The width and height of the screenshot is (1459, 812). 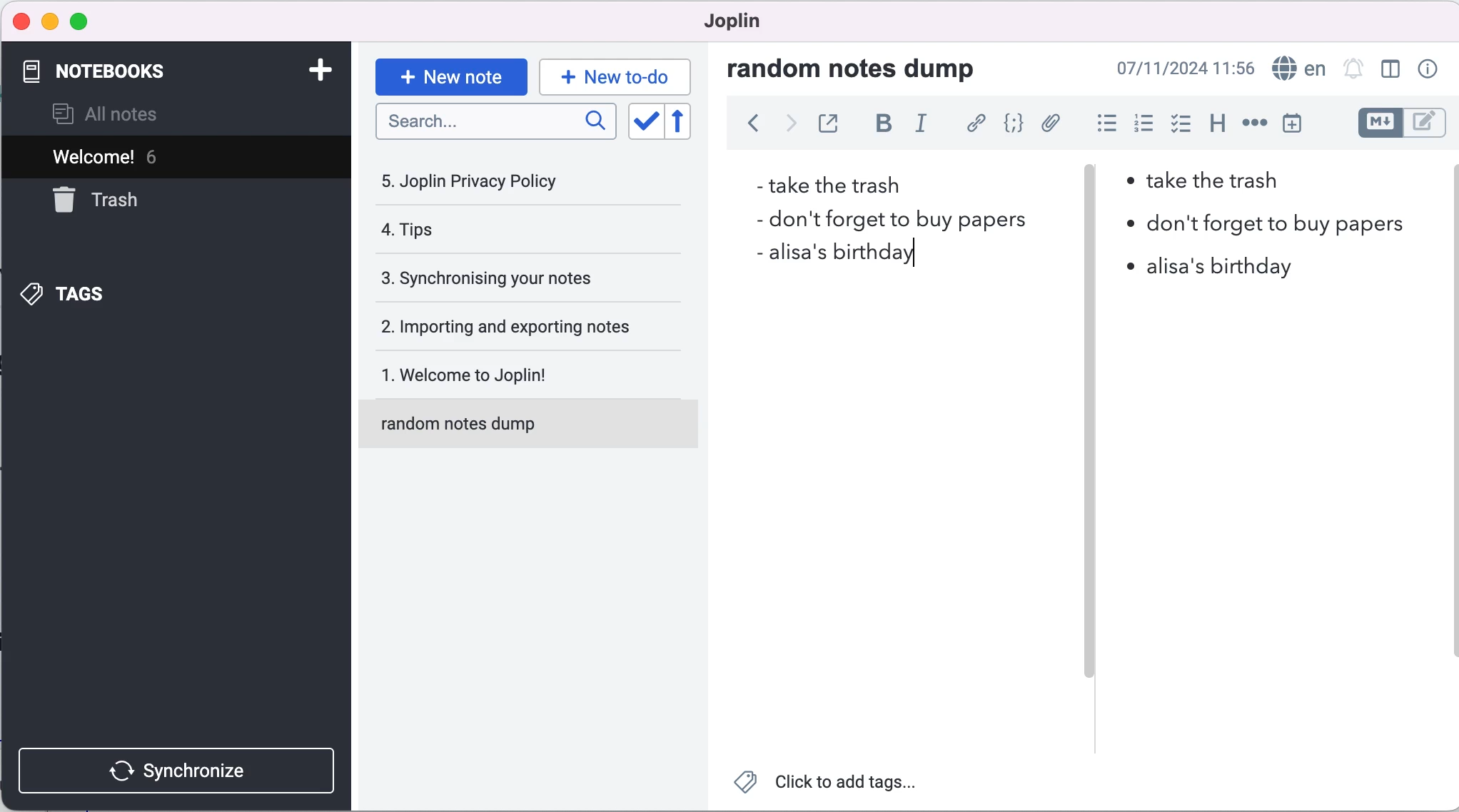 I want to click on synchronize, so click(x=180, y=767).